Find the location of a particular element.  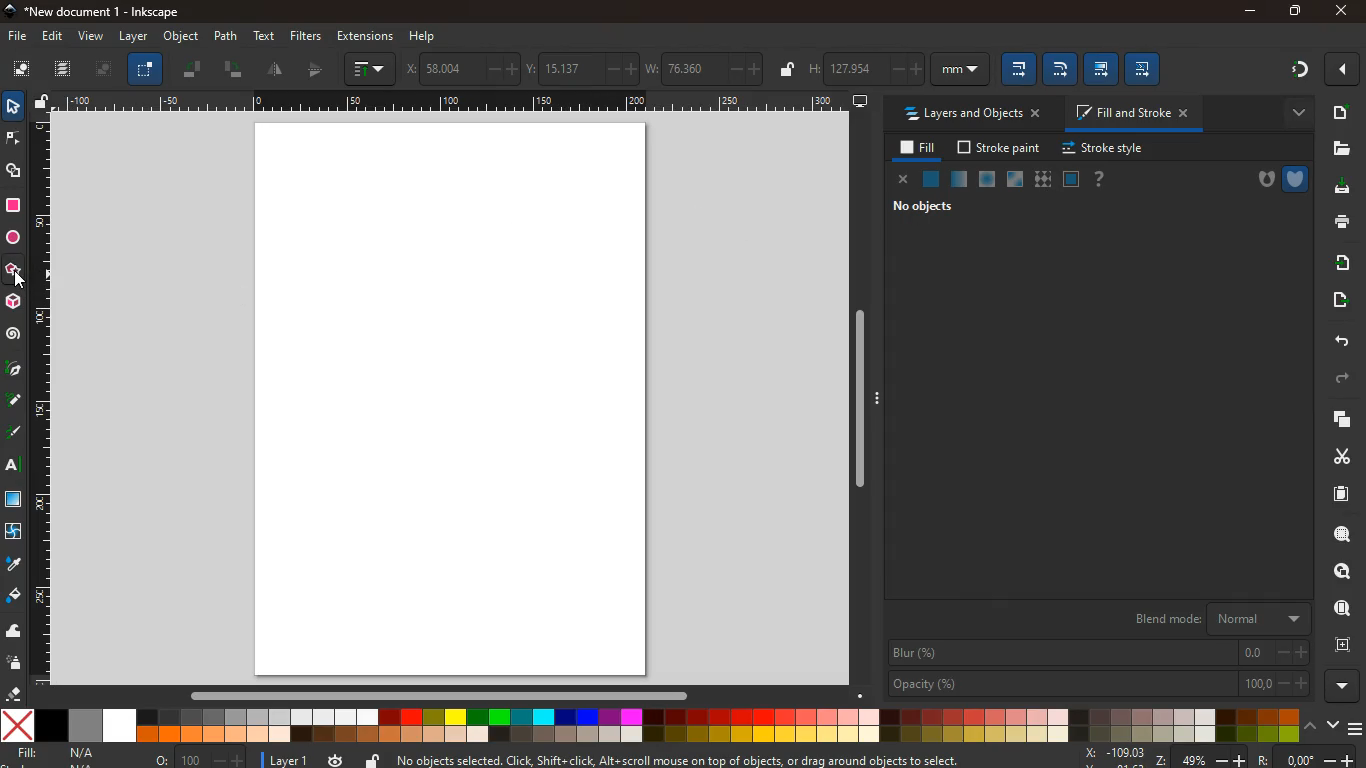

more is located at coordinates (1290, 114).